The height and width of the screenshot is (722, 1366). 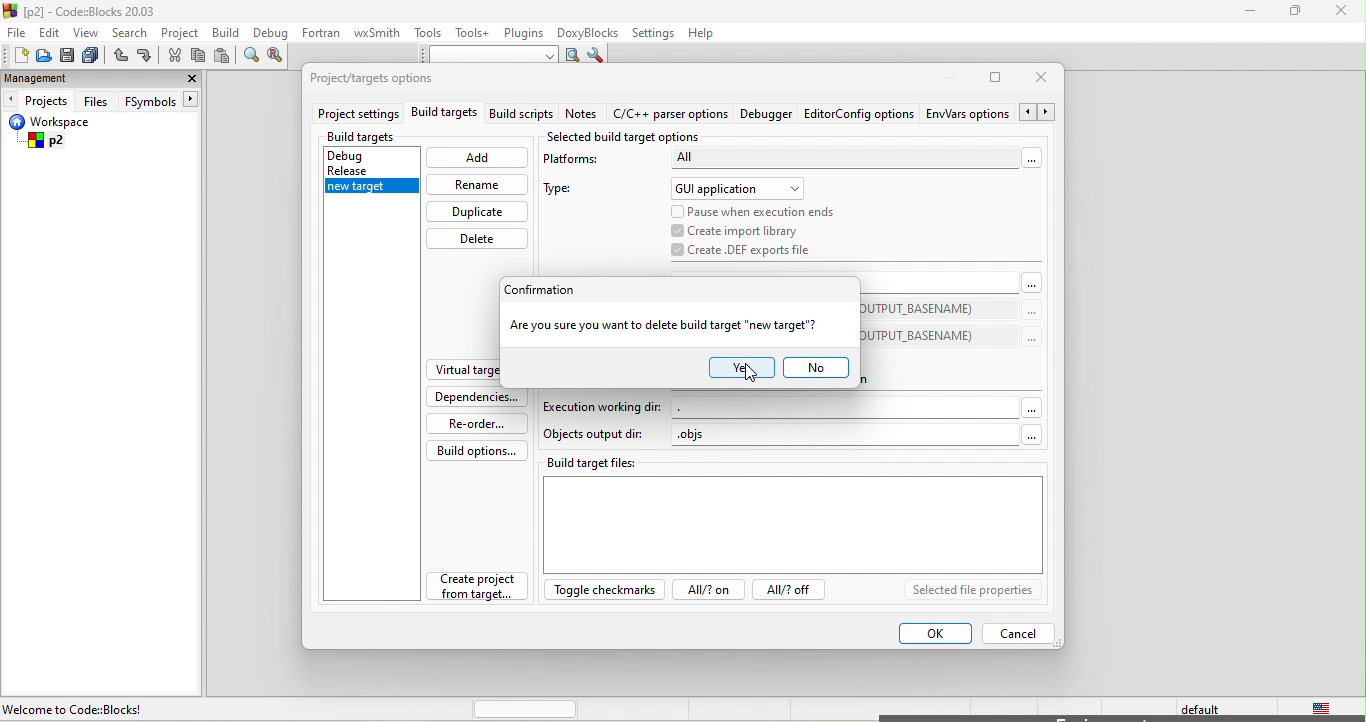 I want to click on minimize, so click(x=1255, y=15).